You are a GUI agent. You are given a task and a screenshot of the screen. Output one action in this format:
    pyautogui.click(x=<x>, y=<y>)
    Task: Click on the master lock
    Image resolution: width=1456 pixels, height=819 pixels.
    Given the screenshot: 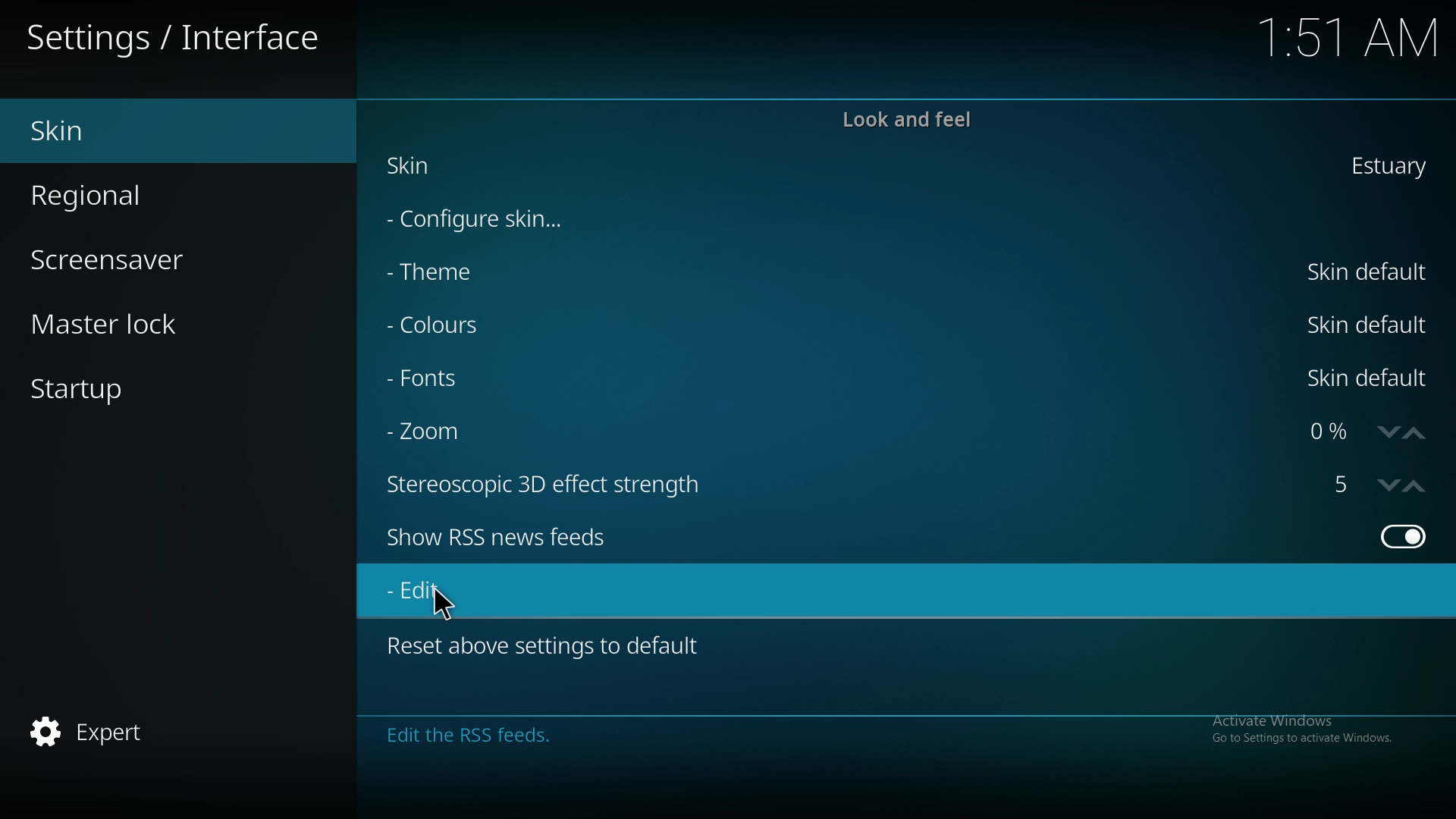 What is the action you would take?
    pyautogui.click(x=129, y=323)
    